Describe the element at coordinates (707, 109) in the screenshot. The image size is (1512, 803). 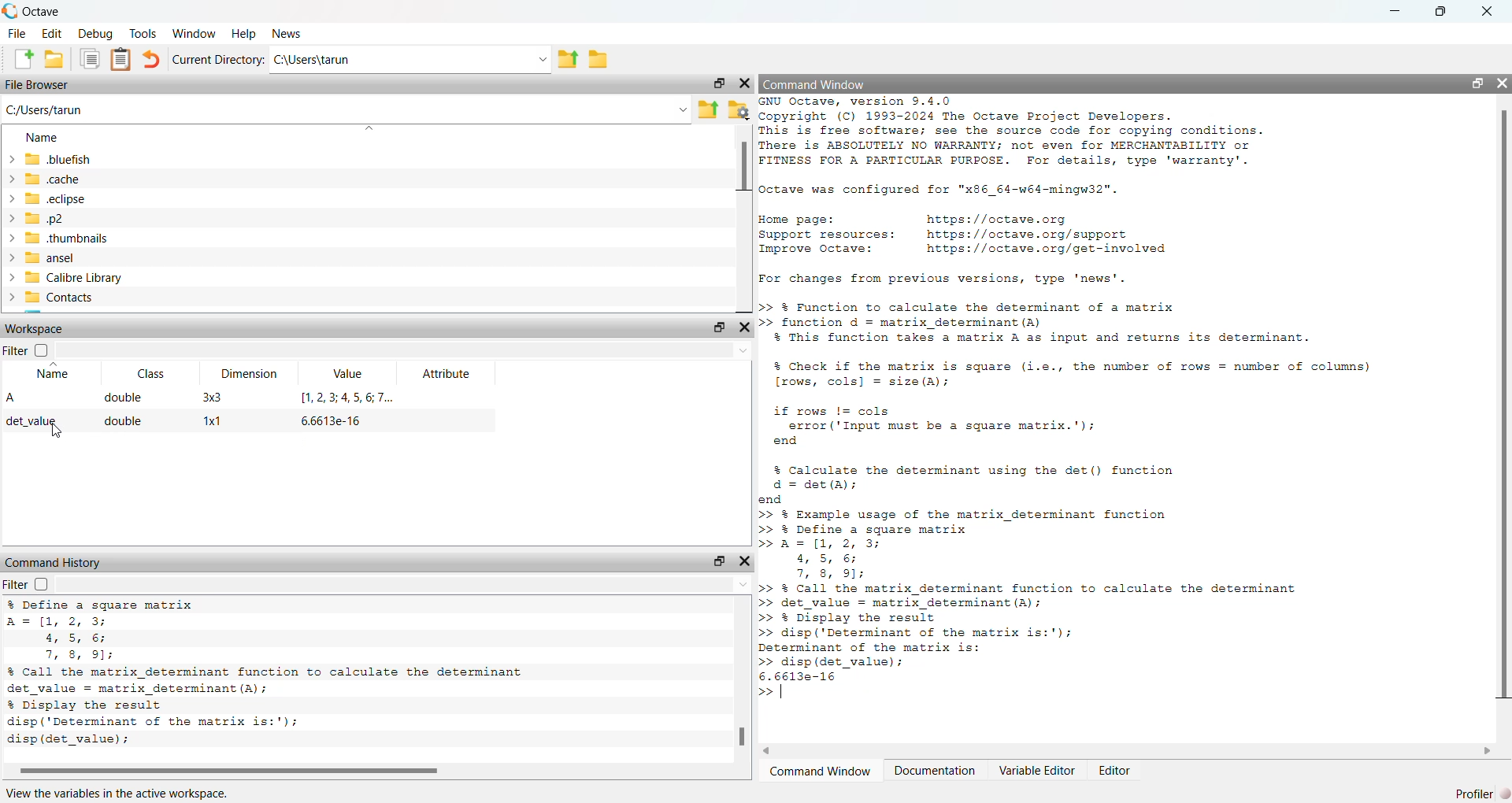
I see `one directory up` at that location.